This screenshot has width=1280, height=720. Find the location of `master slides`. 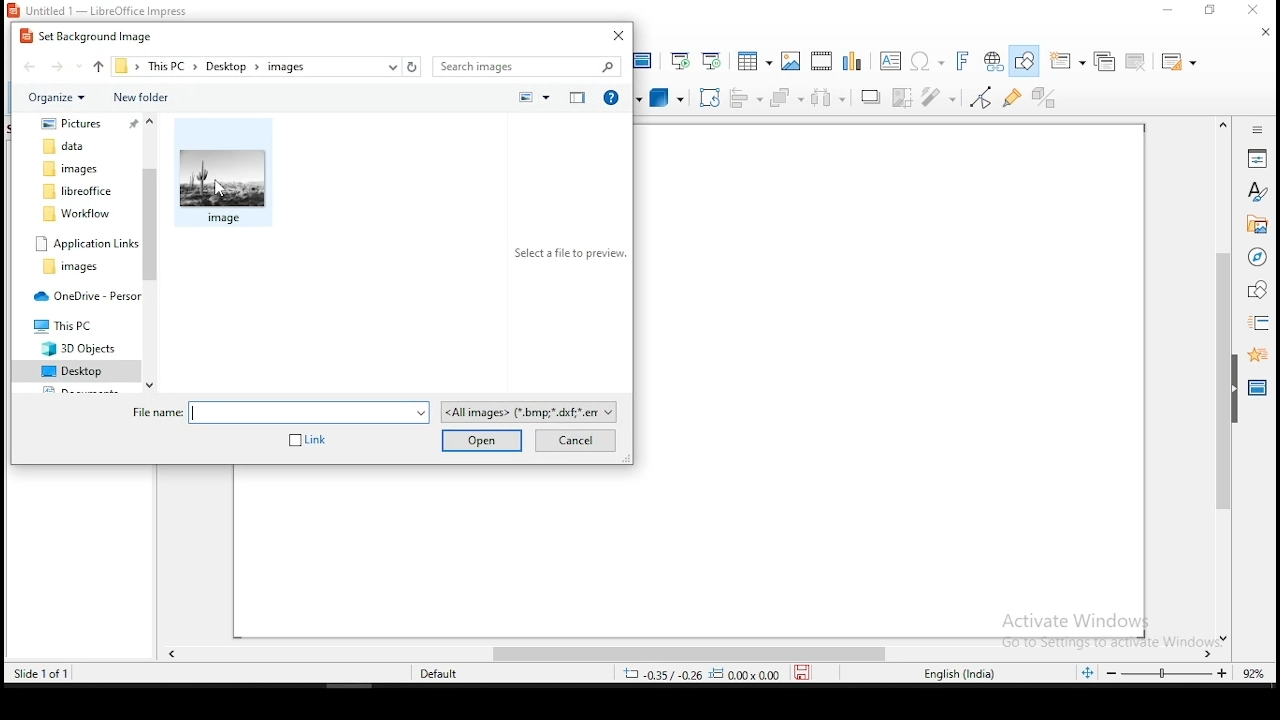

master slides is located at coordinates (1257, 388).